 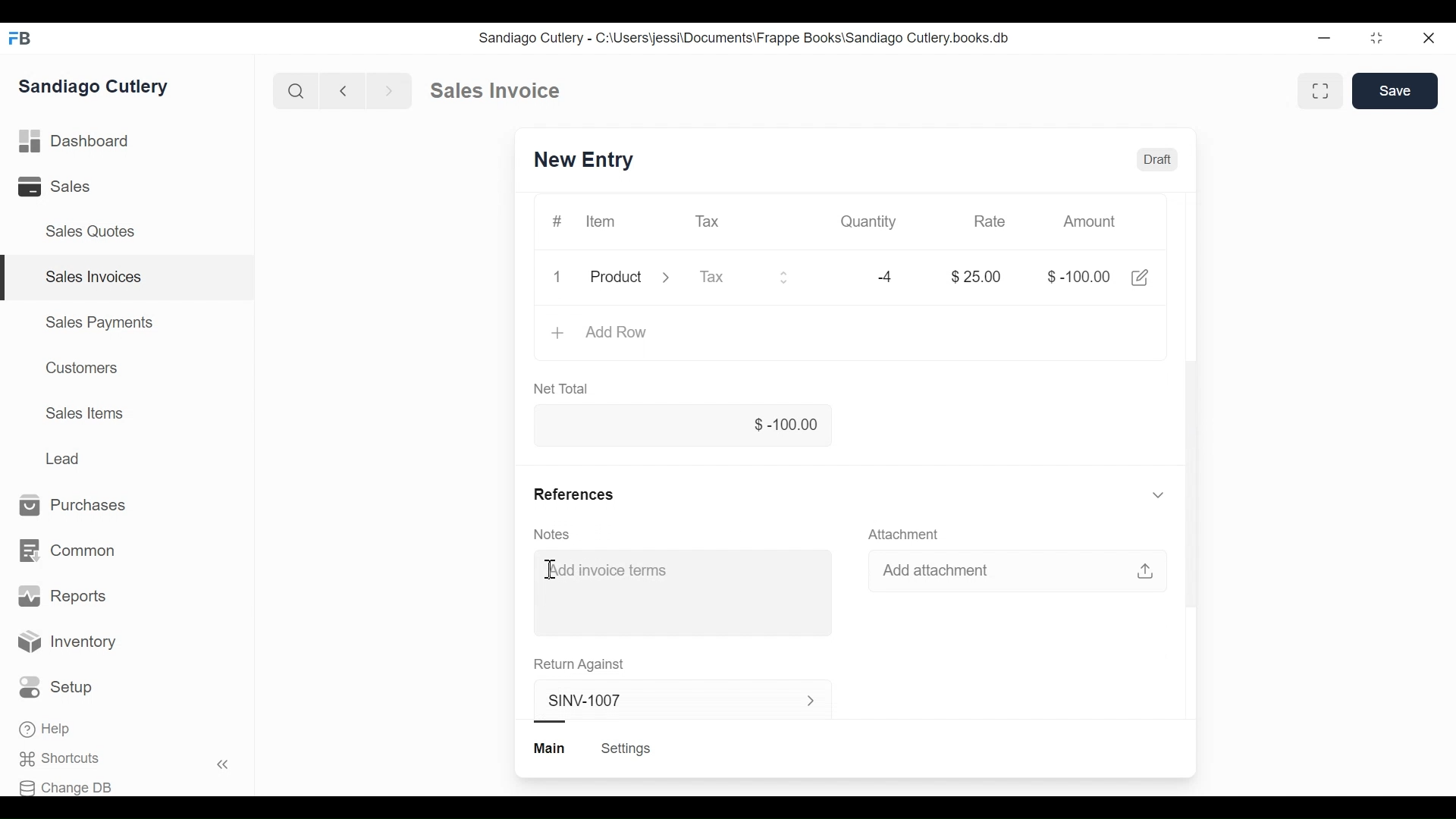 I want to click on Draft, so click(x=1157, y=159).